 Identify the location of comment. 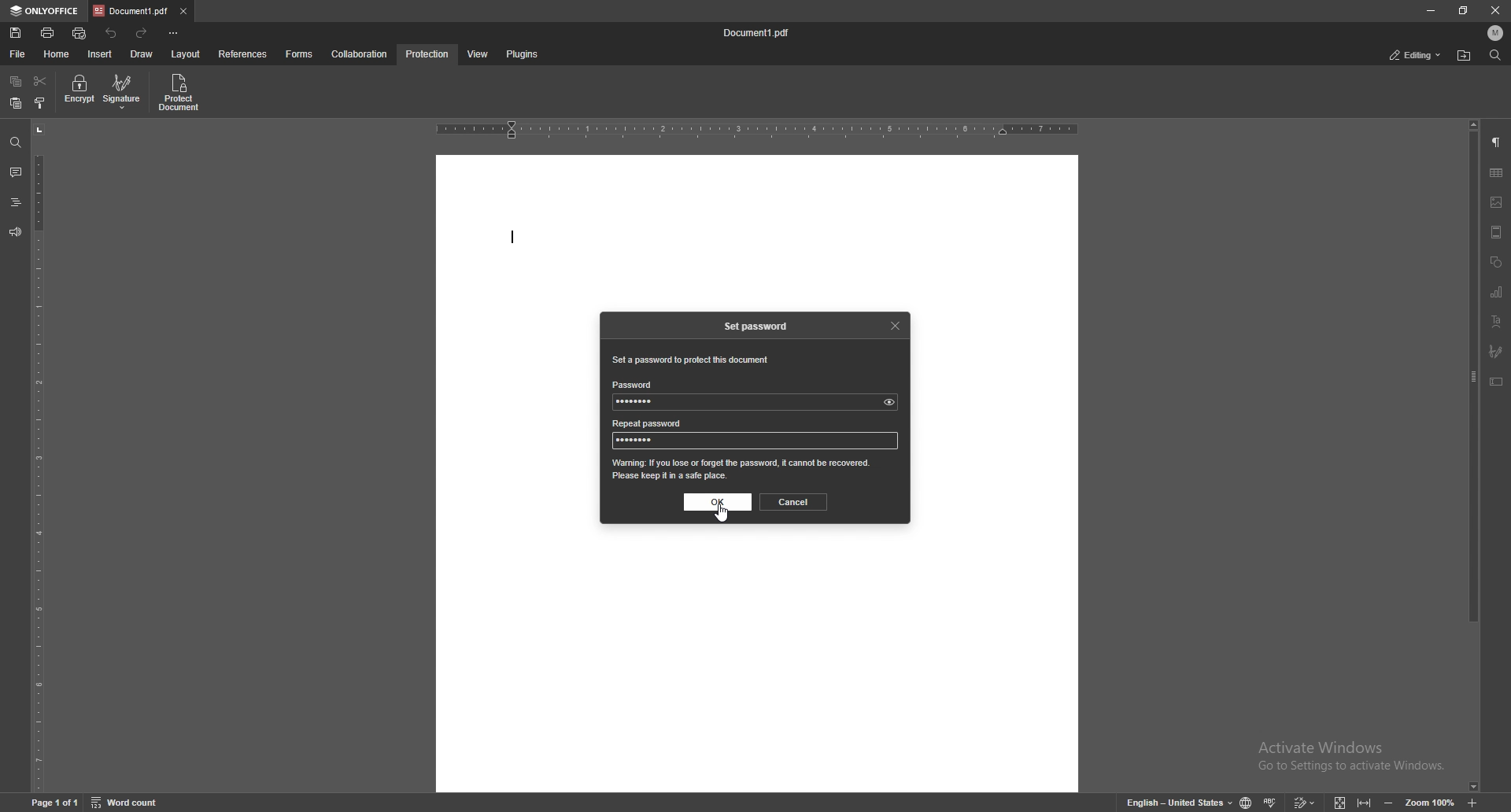
(16, 172).